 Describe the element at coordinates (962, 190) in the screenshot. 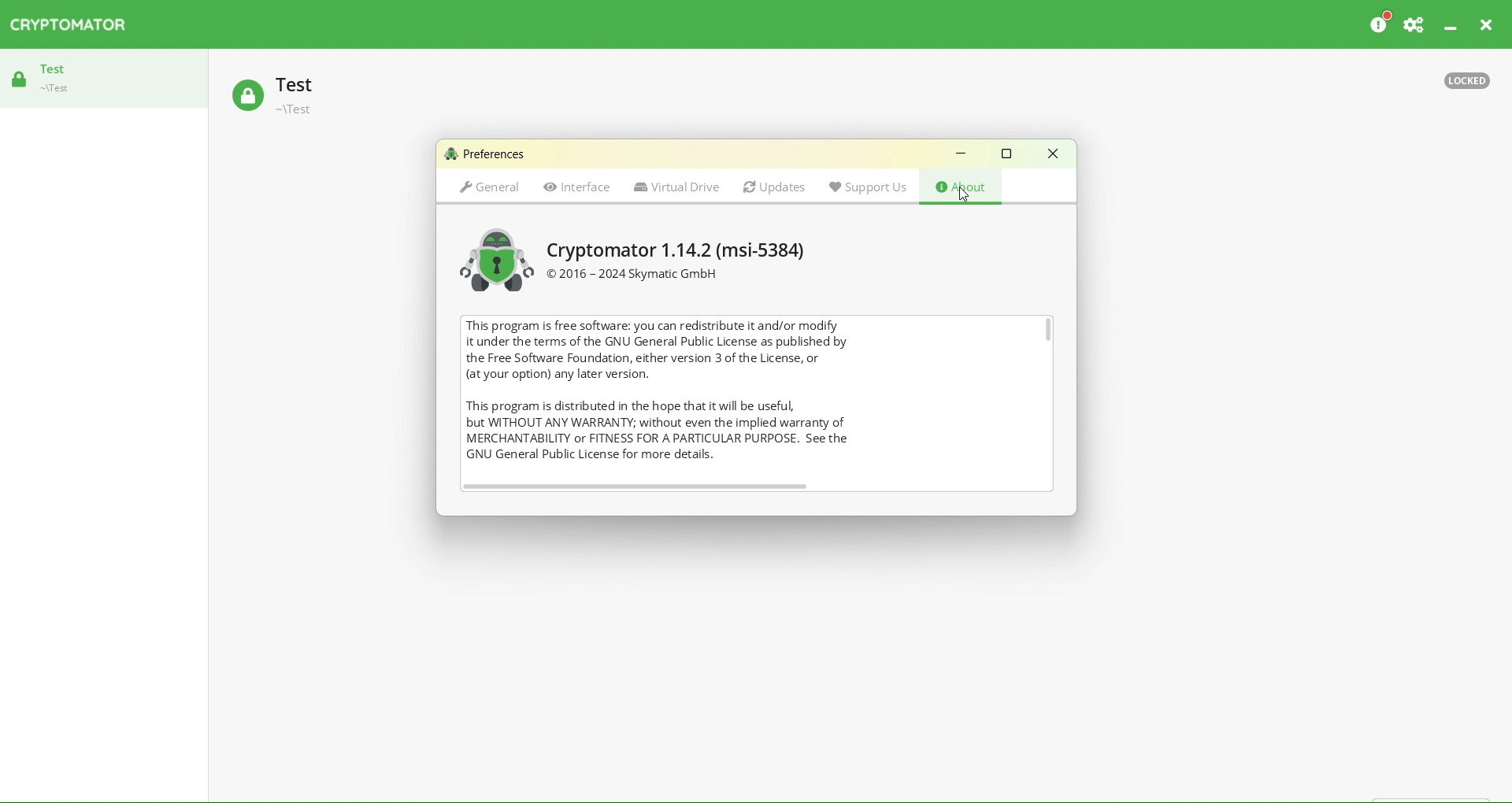

I see `About` at that location.